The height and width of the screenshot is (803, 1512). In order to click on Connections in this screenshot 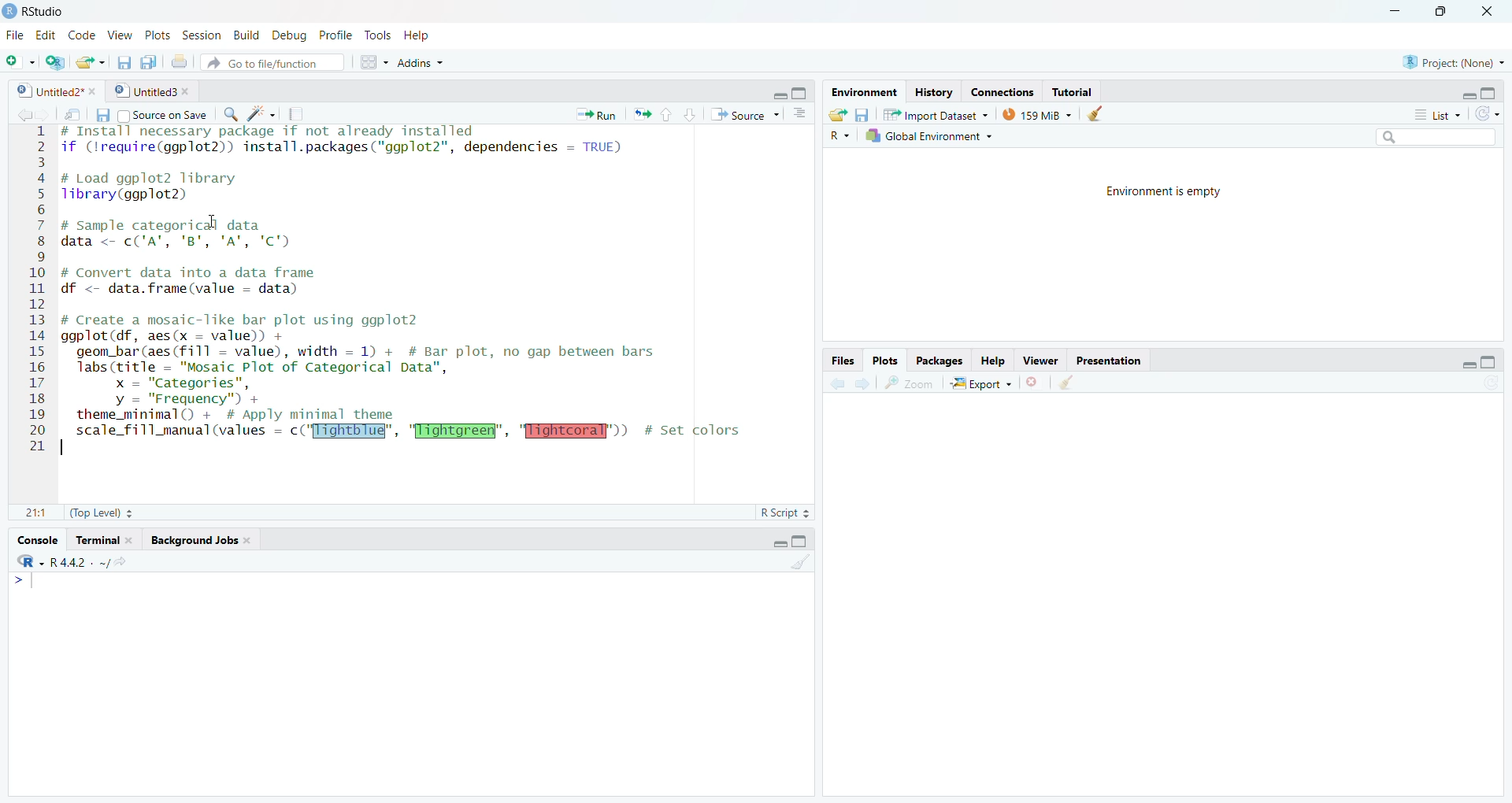, I will do `click(1004, 92)`.